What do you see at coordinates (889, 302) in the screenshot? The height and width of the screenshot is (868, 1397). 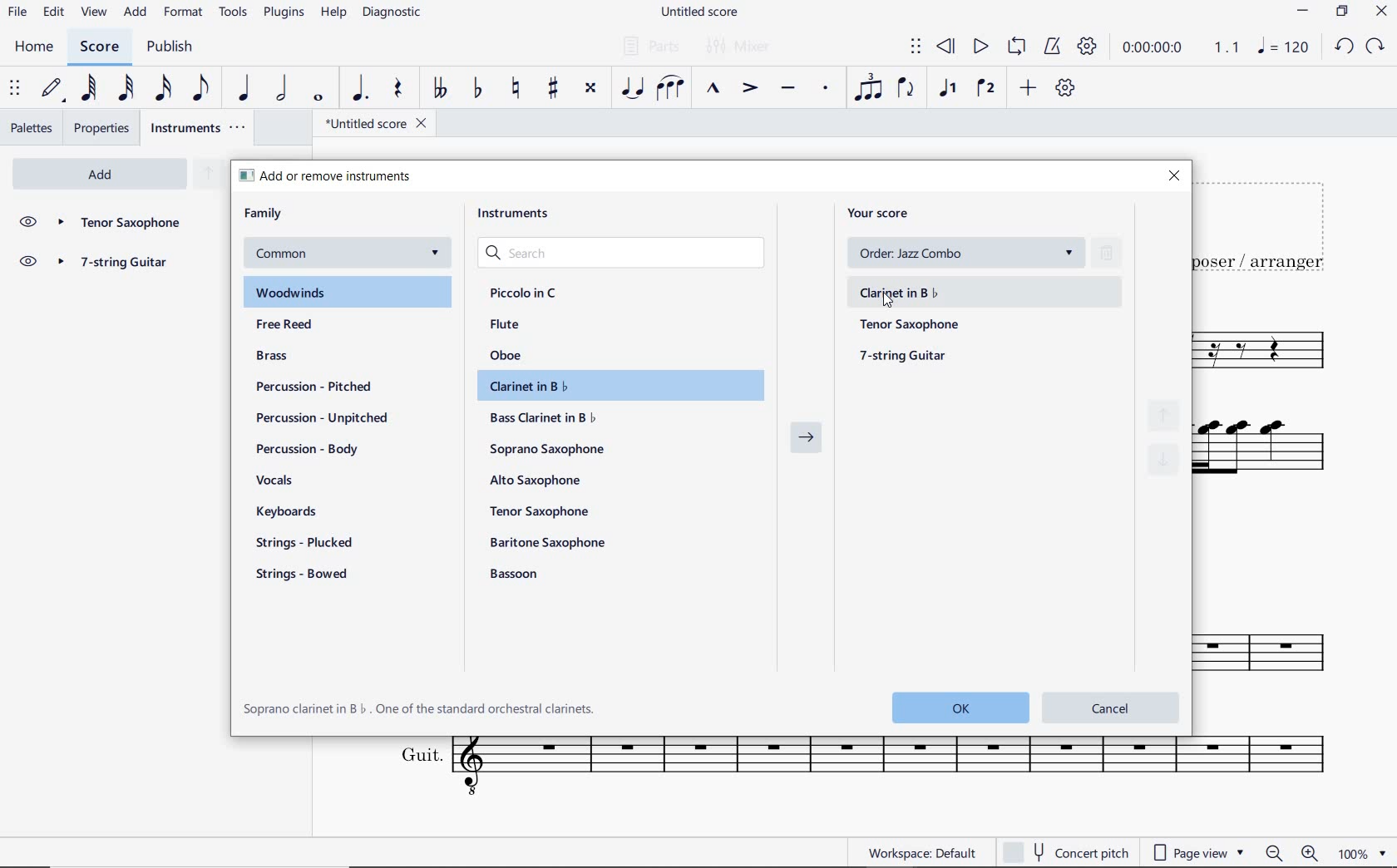 I see `cursor` at bounding box center [889, 302].